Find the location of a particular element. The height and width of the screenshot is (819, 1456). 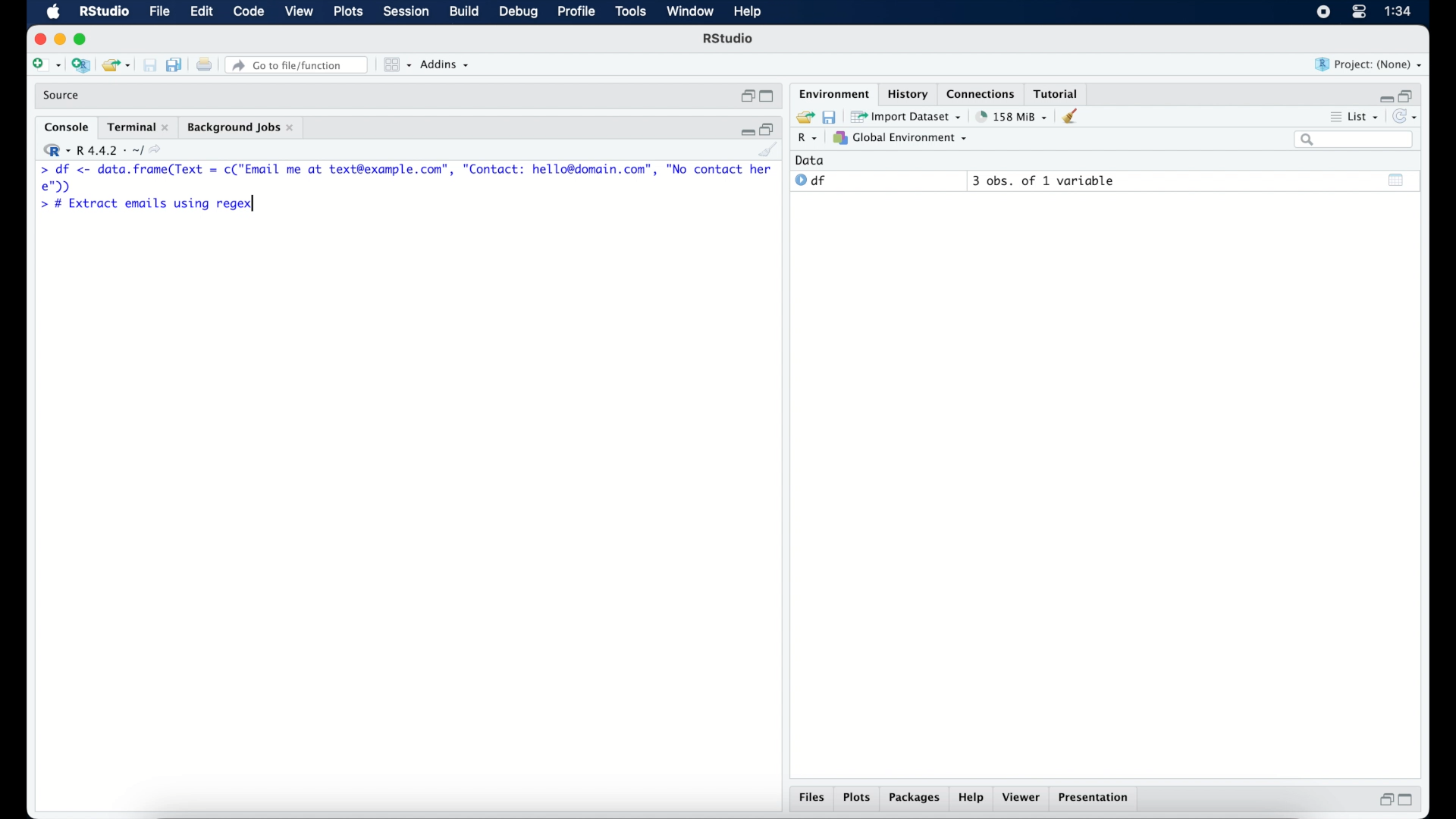

source is located at coordinates (64, 96).